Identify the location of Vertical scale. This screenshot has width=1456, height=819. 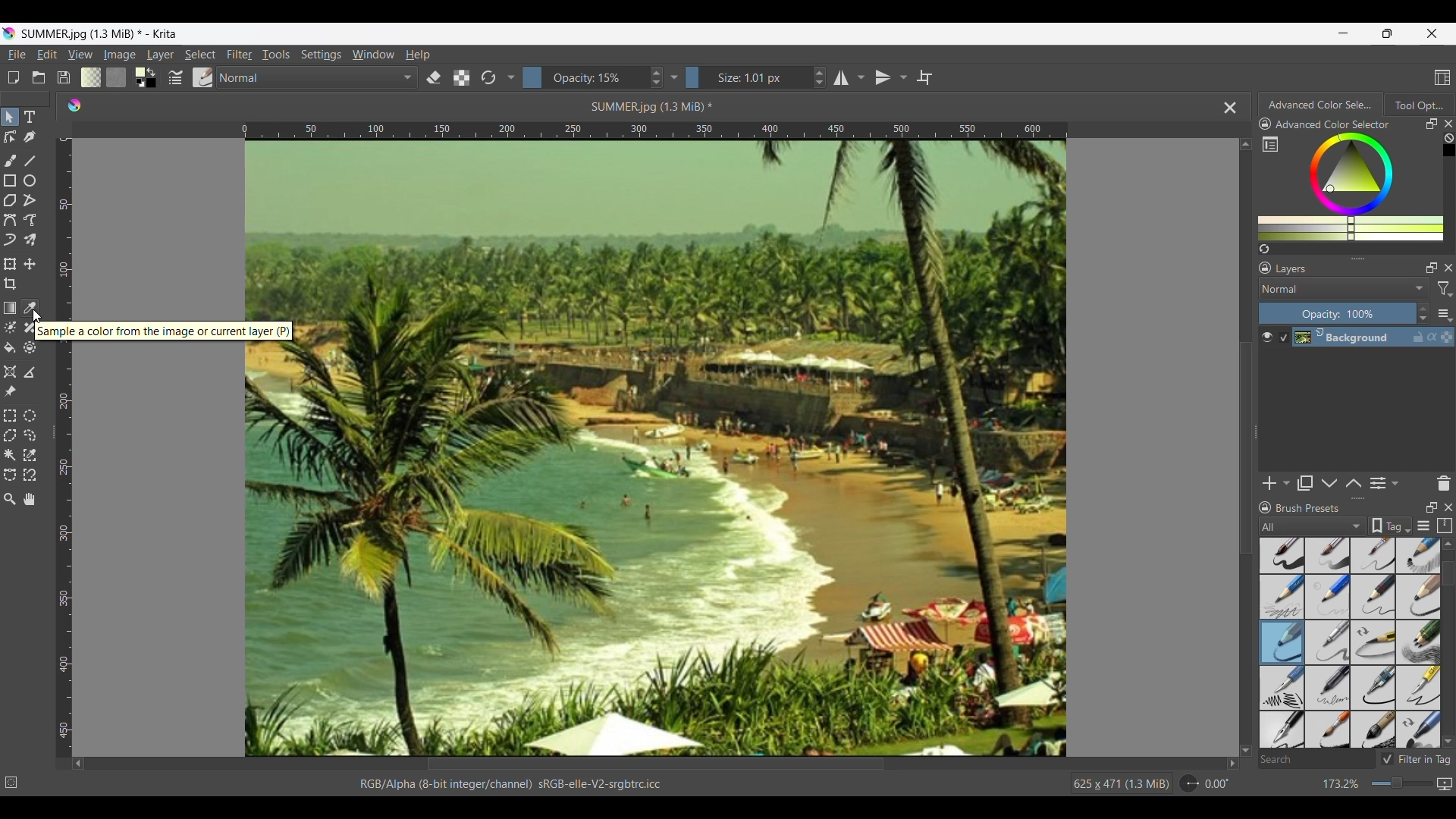
(67, 550).